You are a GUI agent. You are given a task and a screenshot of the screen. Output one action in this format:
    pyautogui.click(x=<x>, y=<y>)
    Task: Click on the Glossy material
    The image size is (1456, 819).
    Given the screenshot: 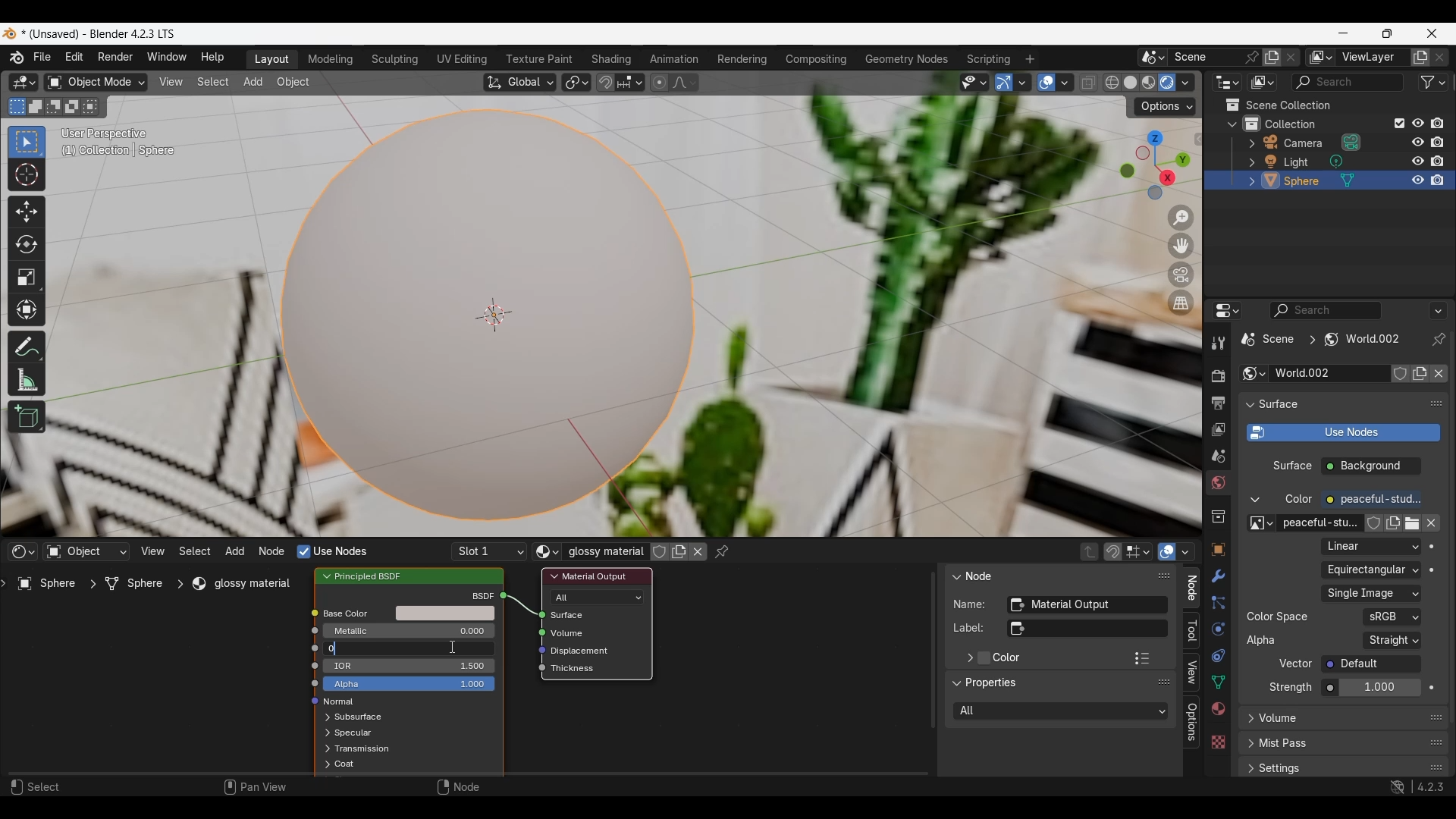 What is the action you would take?
    pyautogui.click(x=605, y=551)
    